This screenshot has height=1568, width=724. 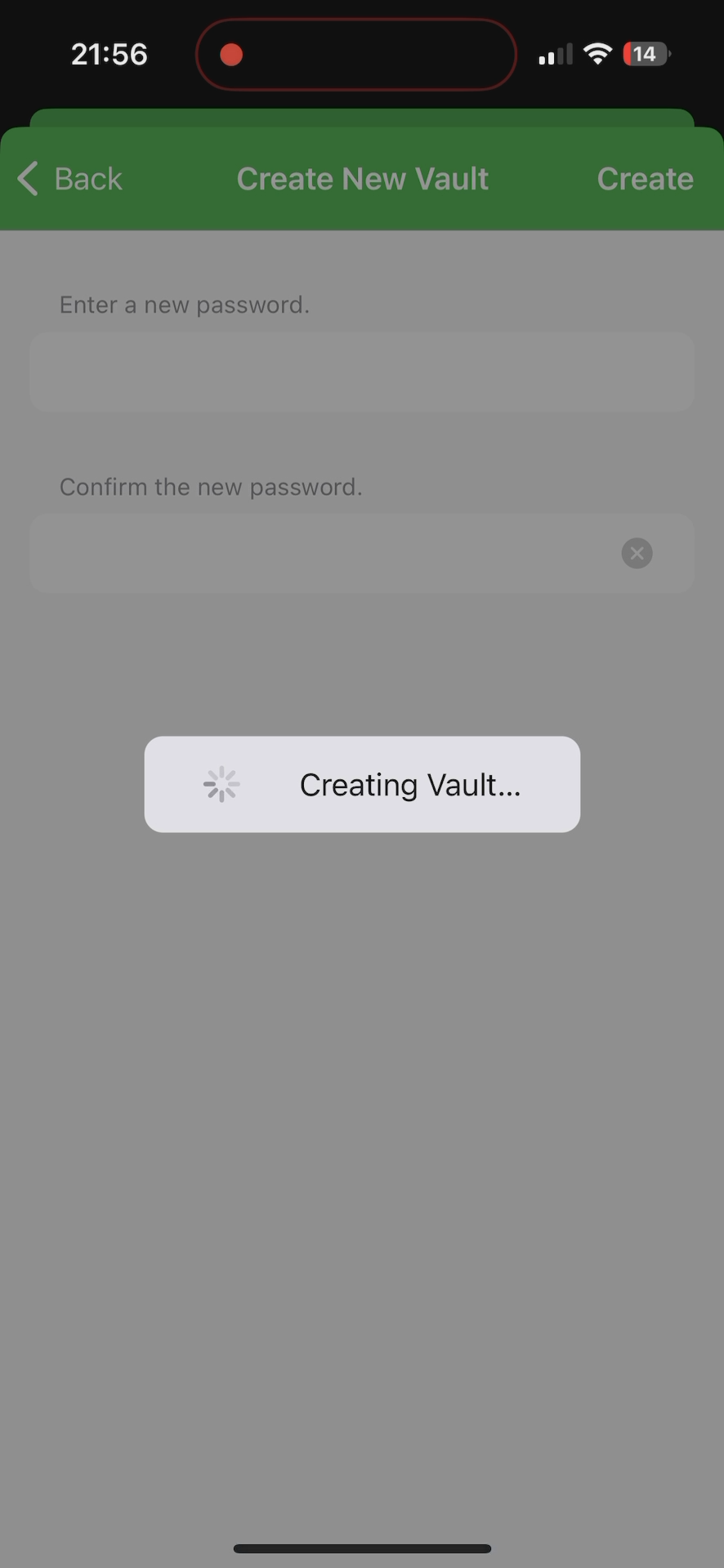 What do you see at coordinates (374, 534) in the screenshot?
I see `Confirm the new password.` at bounding box center [374, 534].